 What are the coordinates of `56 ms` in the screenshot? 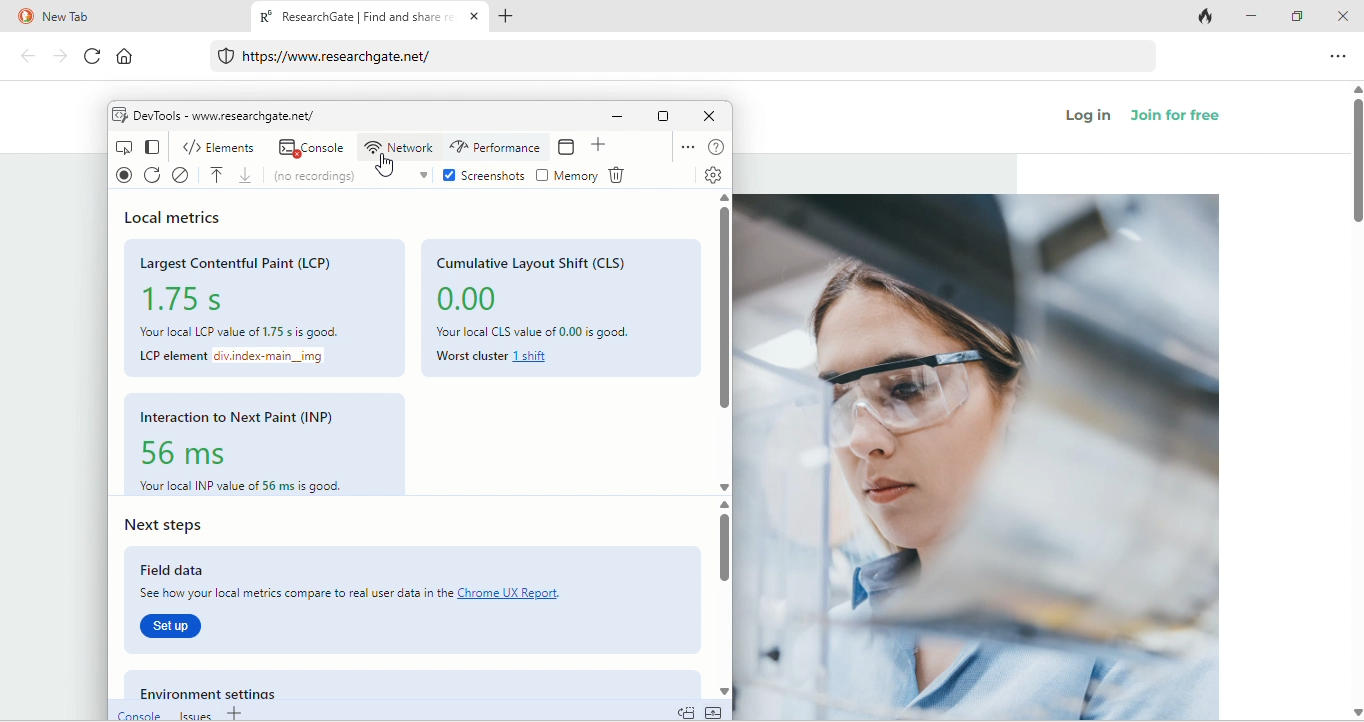 It's located at (197, 451).